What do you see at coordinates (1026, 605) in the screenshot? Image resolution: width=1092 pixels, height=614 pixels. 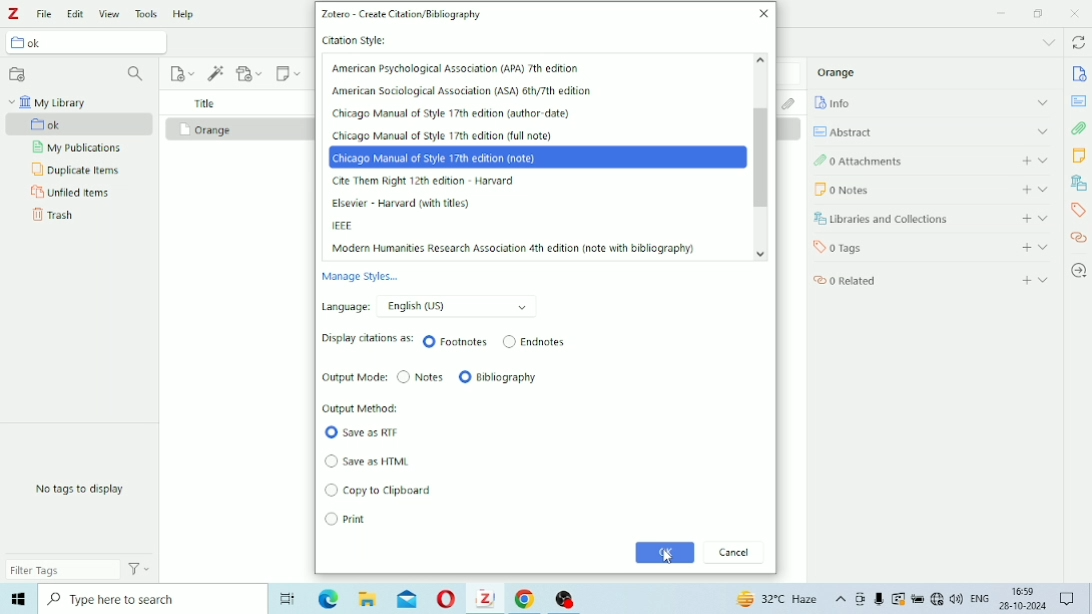 I see `26-10-2024` at bounding box center [1026, 605].